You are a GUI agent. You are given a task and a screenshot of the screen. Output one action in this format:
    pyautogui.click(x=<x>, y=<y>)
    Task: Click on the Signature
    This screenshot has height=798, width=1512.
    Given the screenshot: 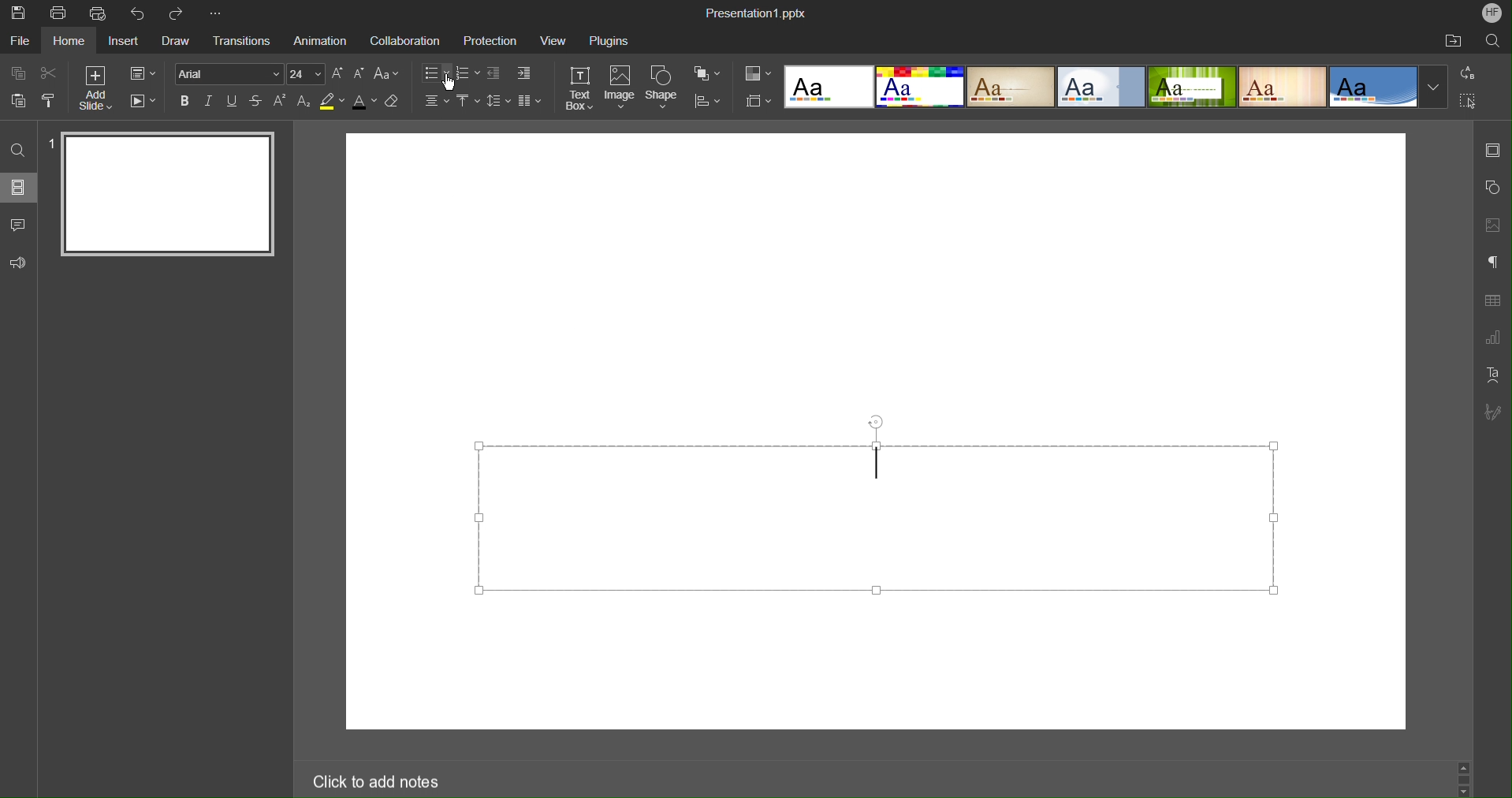 What is the action you would take?
    pyautogui.click(x=1492, y=412)
    